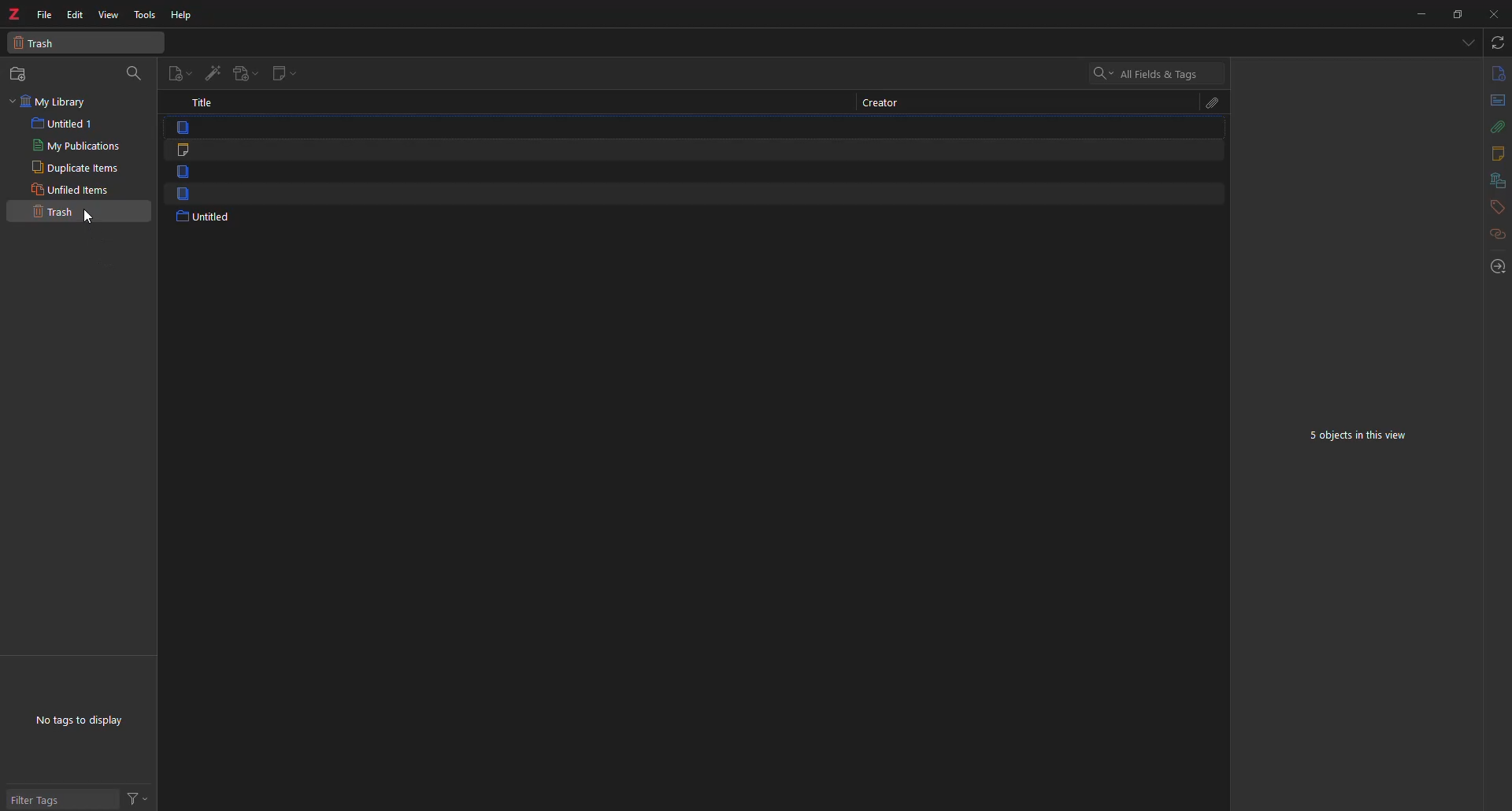 This screenshot has height=811, width=1512. Describe the element at coordinates (14, 10) in the screenshot. I see `z` at that location.